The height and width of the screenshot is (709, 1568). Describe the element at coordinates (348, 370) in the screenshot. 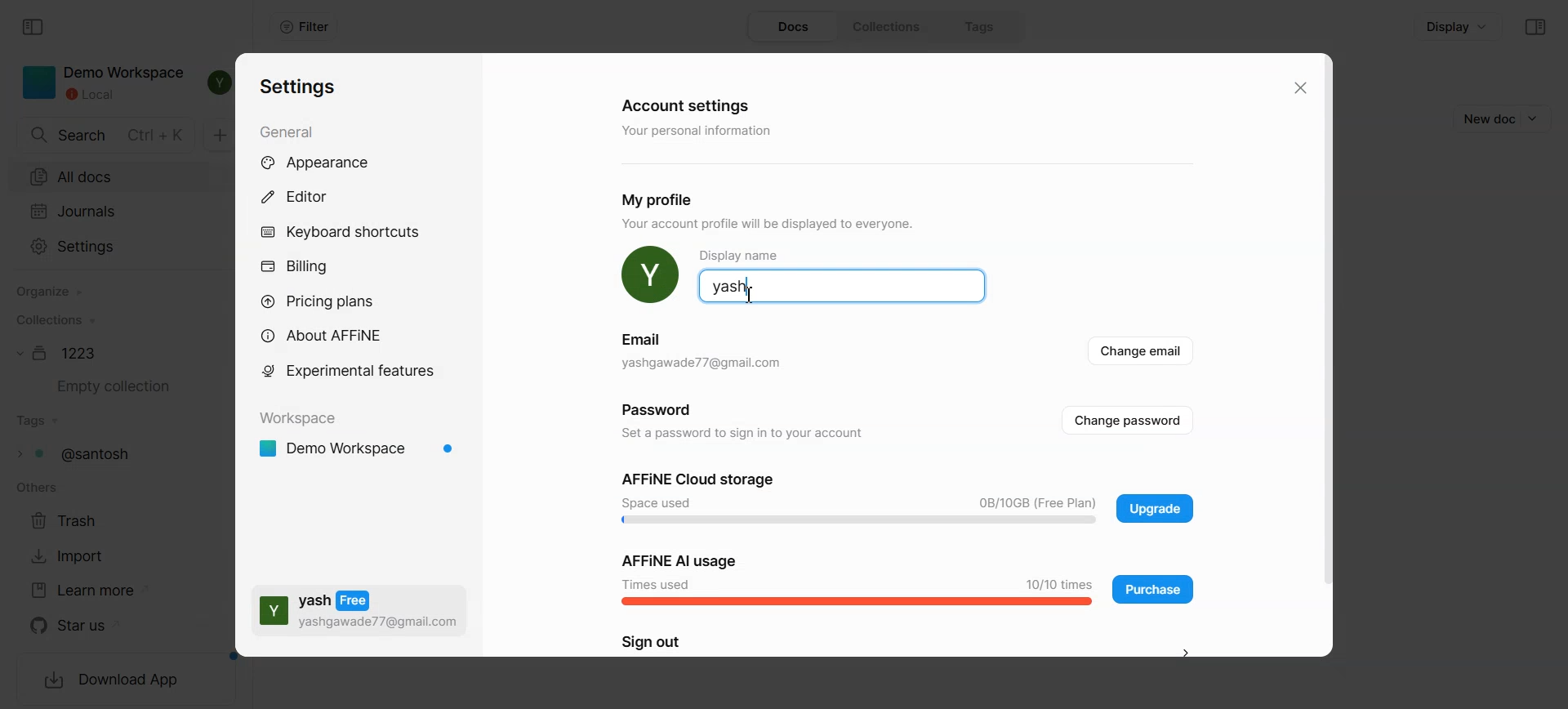

I see `Experimental feature` at that location.